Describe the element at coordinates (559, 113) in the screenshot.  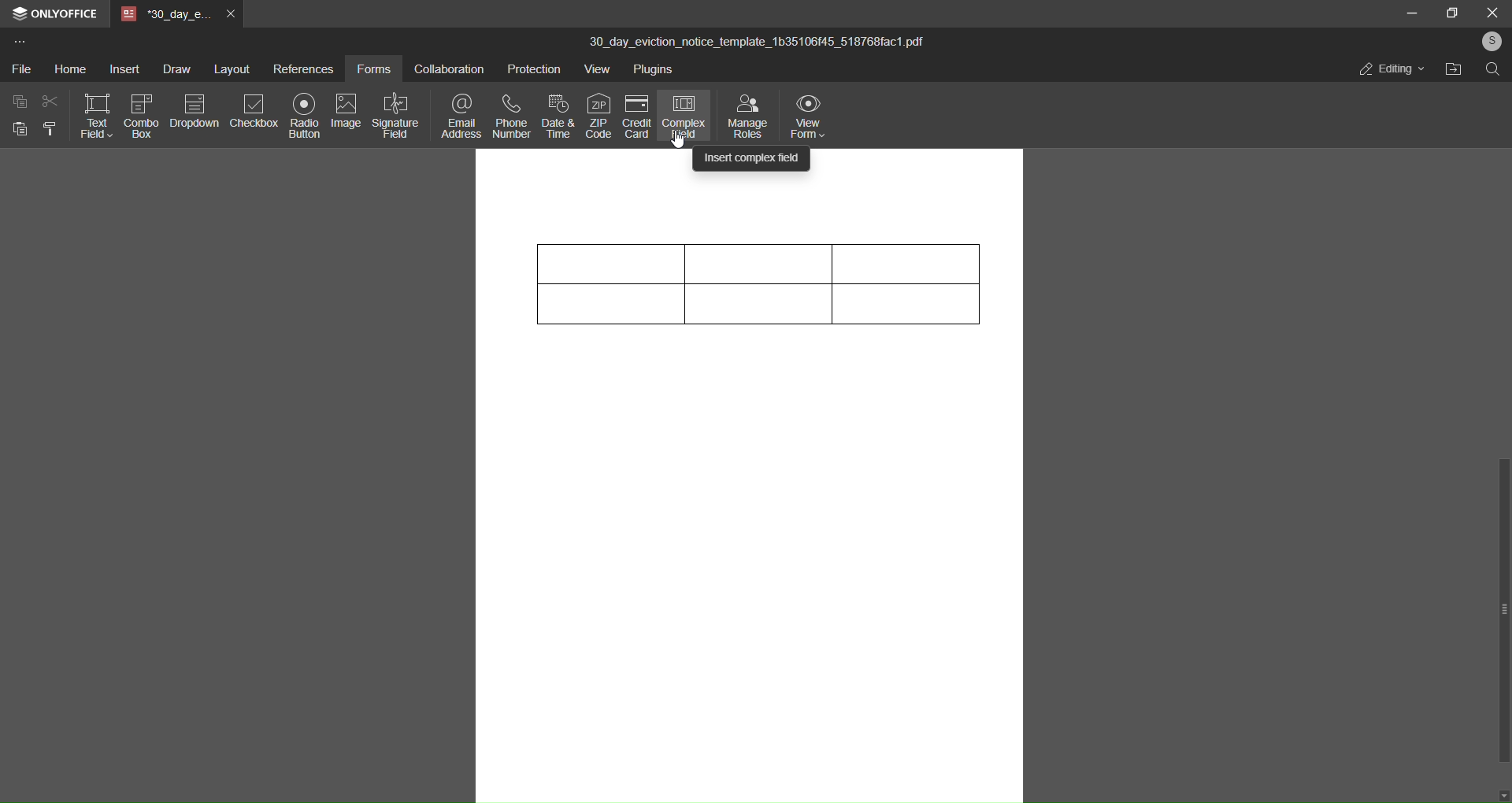
I see `date and time` at that location.